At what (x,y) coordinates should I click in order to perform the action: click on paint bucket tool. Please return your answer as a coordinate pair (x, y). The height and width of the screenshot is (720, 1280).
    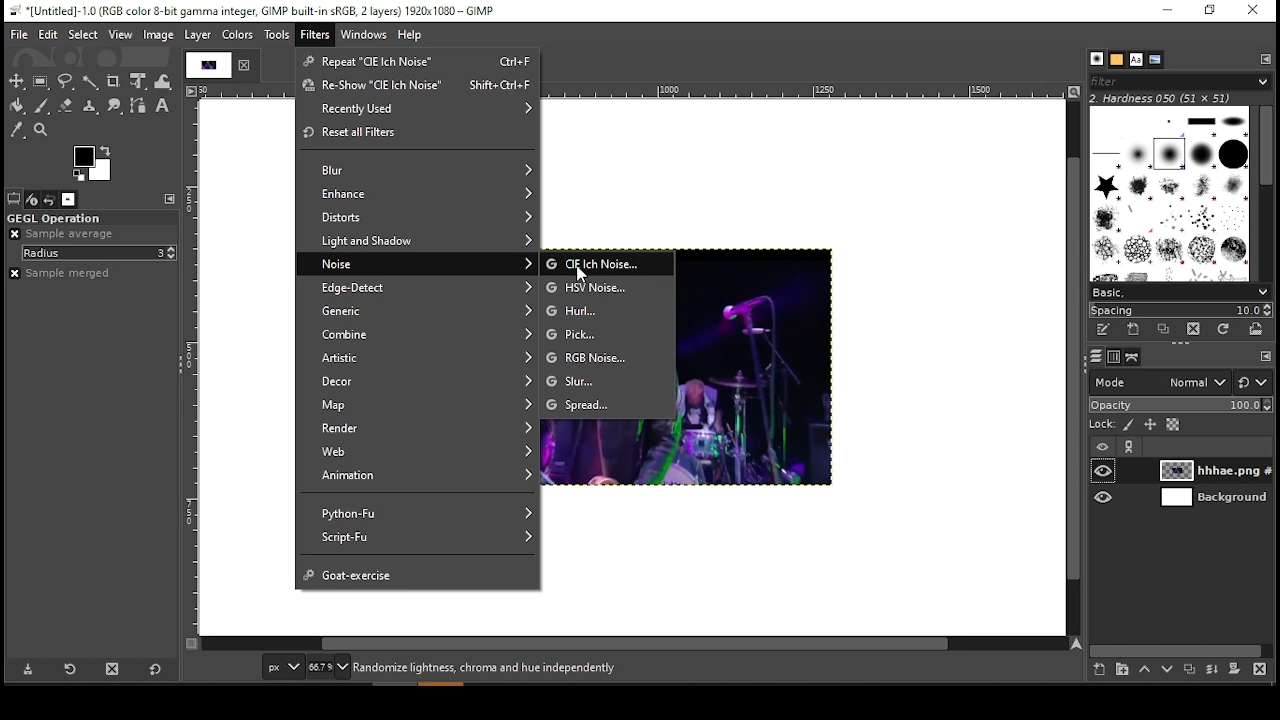
    Looking at the image, I should click on (16, 105).